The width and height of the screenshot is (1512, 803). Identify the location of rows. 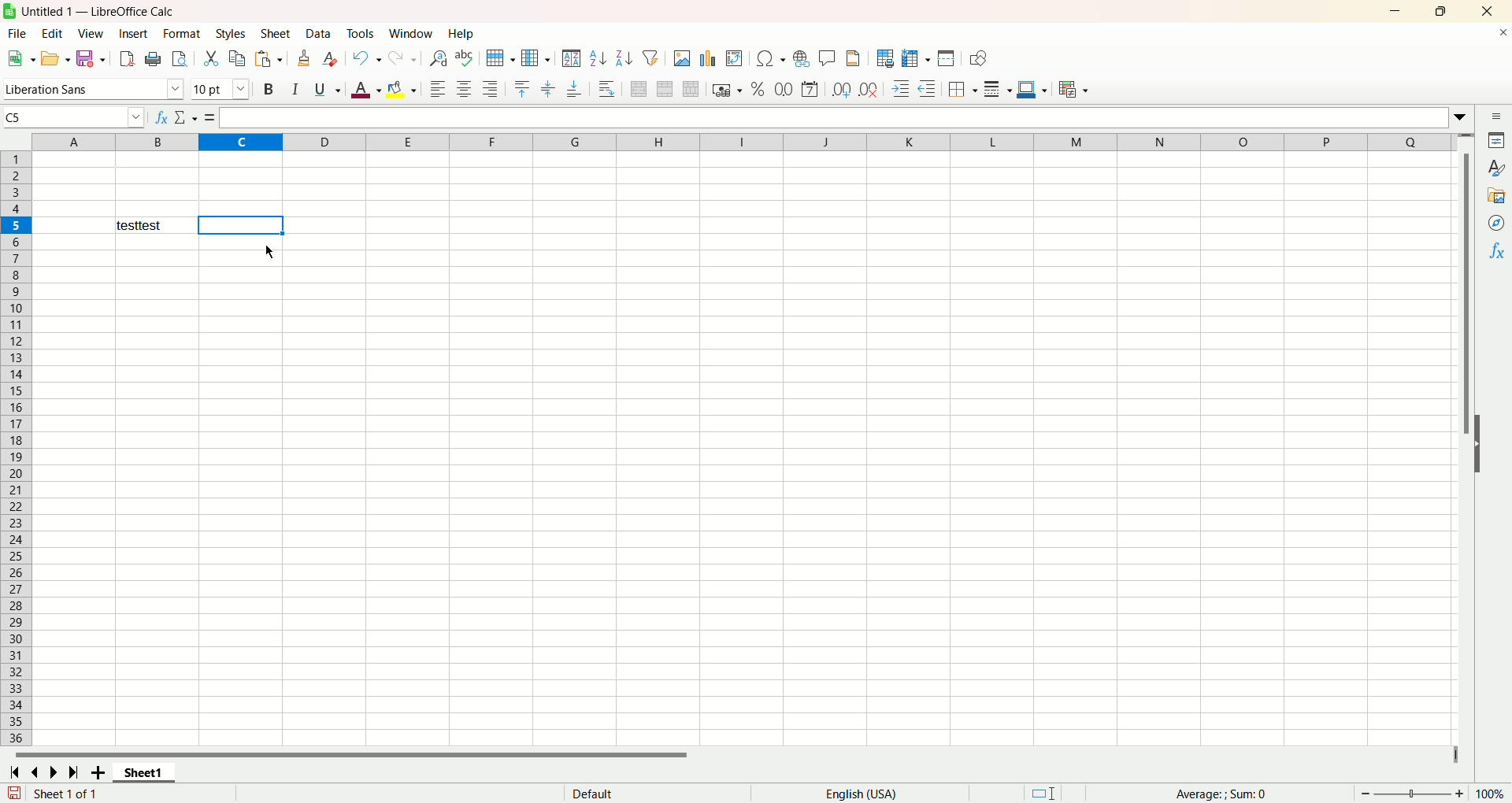
(17, 450).